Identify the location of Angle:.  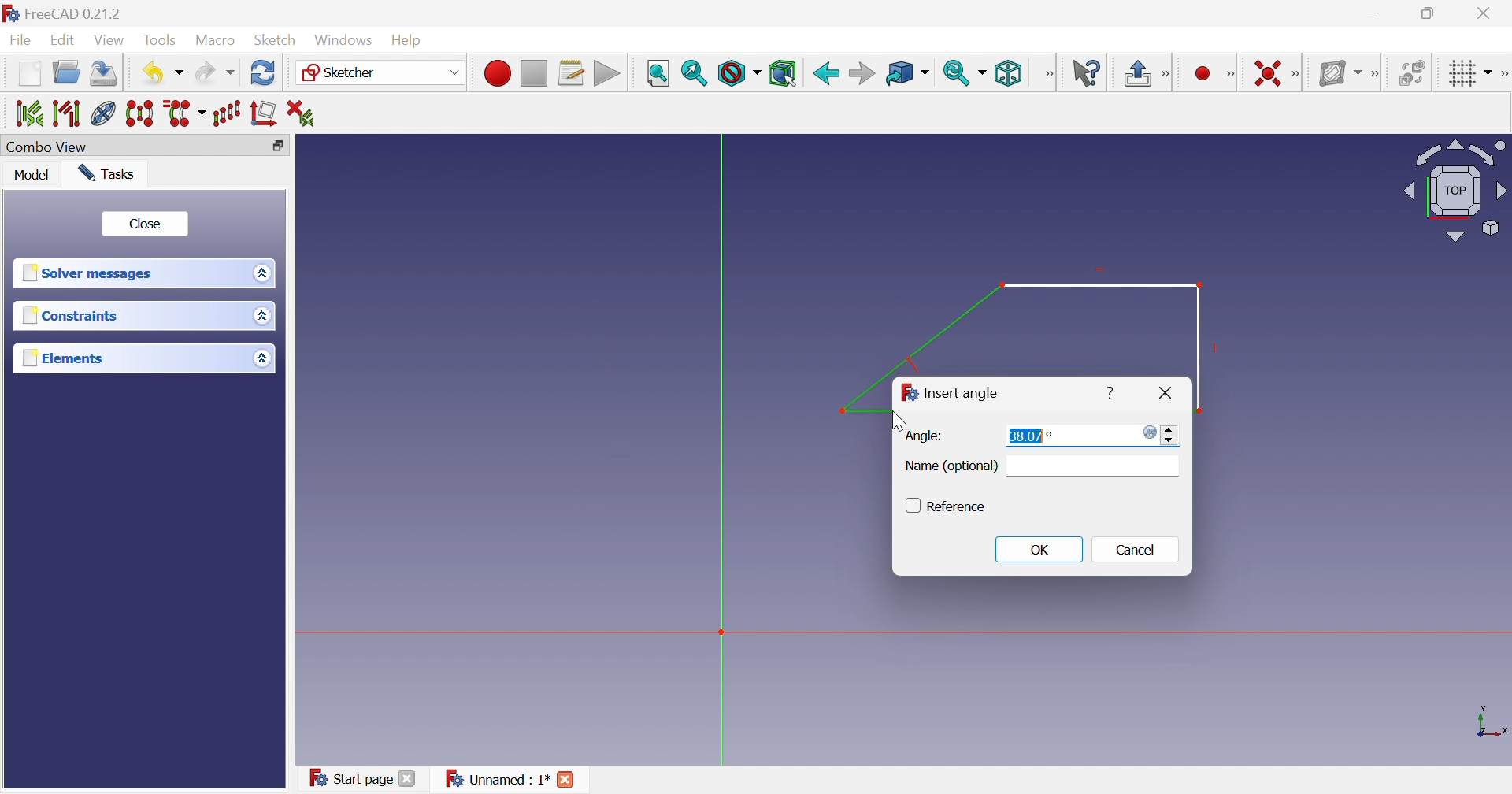
(925, 436).